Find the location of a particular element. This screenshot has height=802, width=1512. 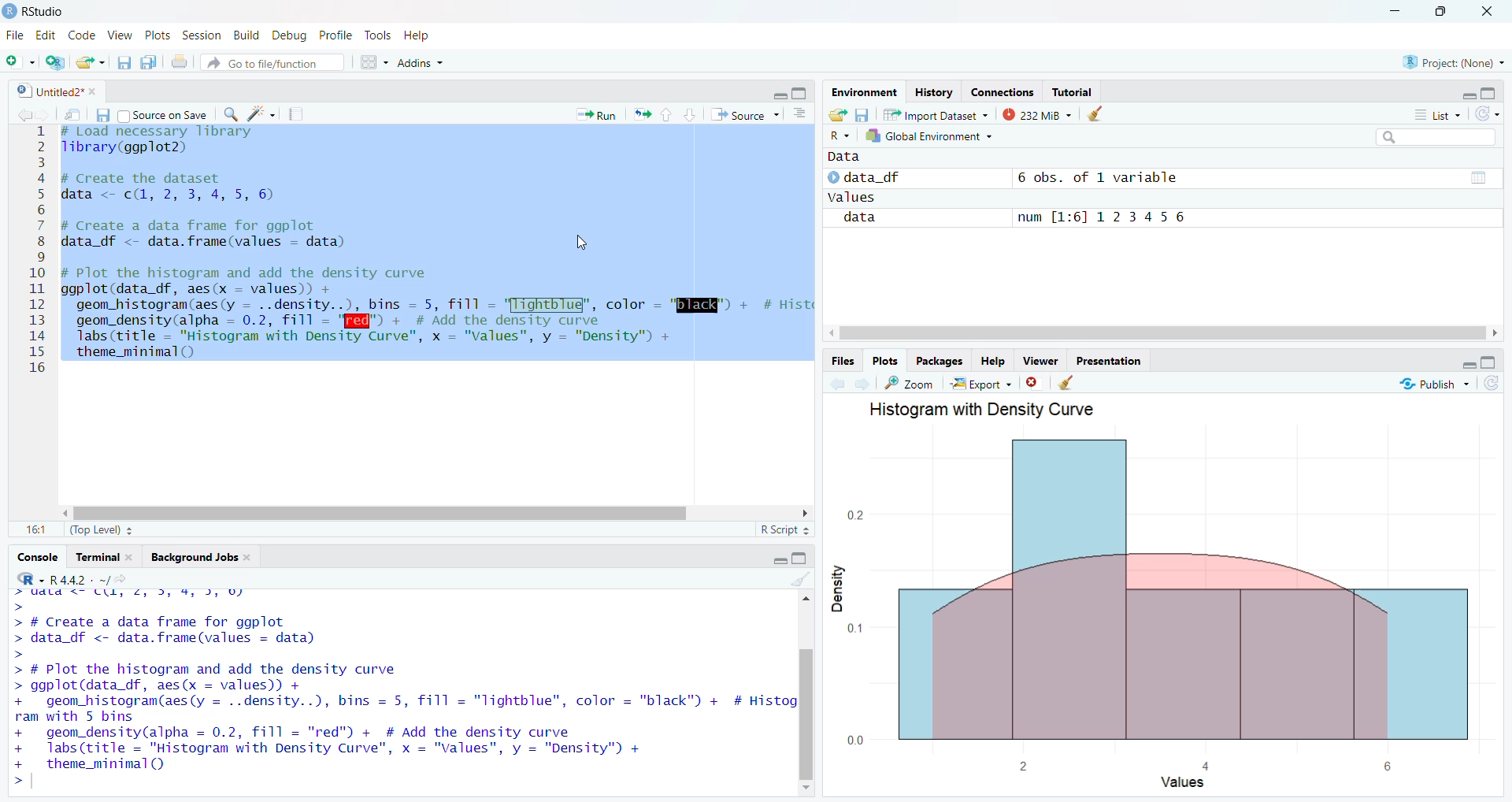

search is located at coordinates (1436, 136).